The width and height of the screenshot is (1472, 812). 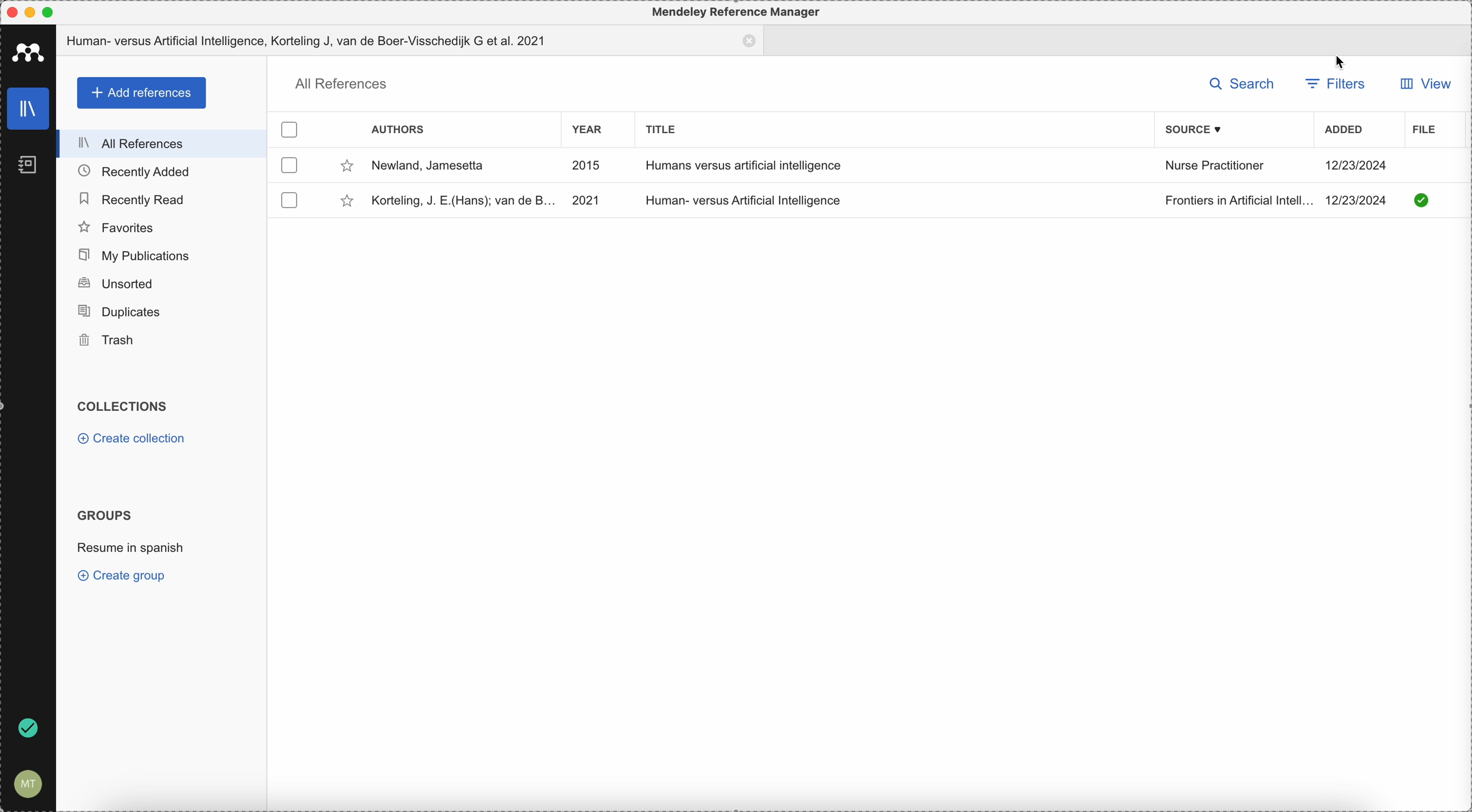 I want to click on Korteling, J.E(Hans); van de B., so click(x=461, y=199).